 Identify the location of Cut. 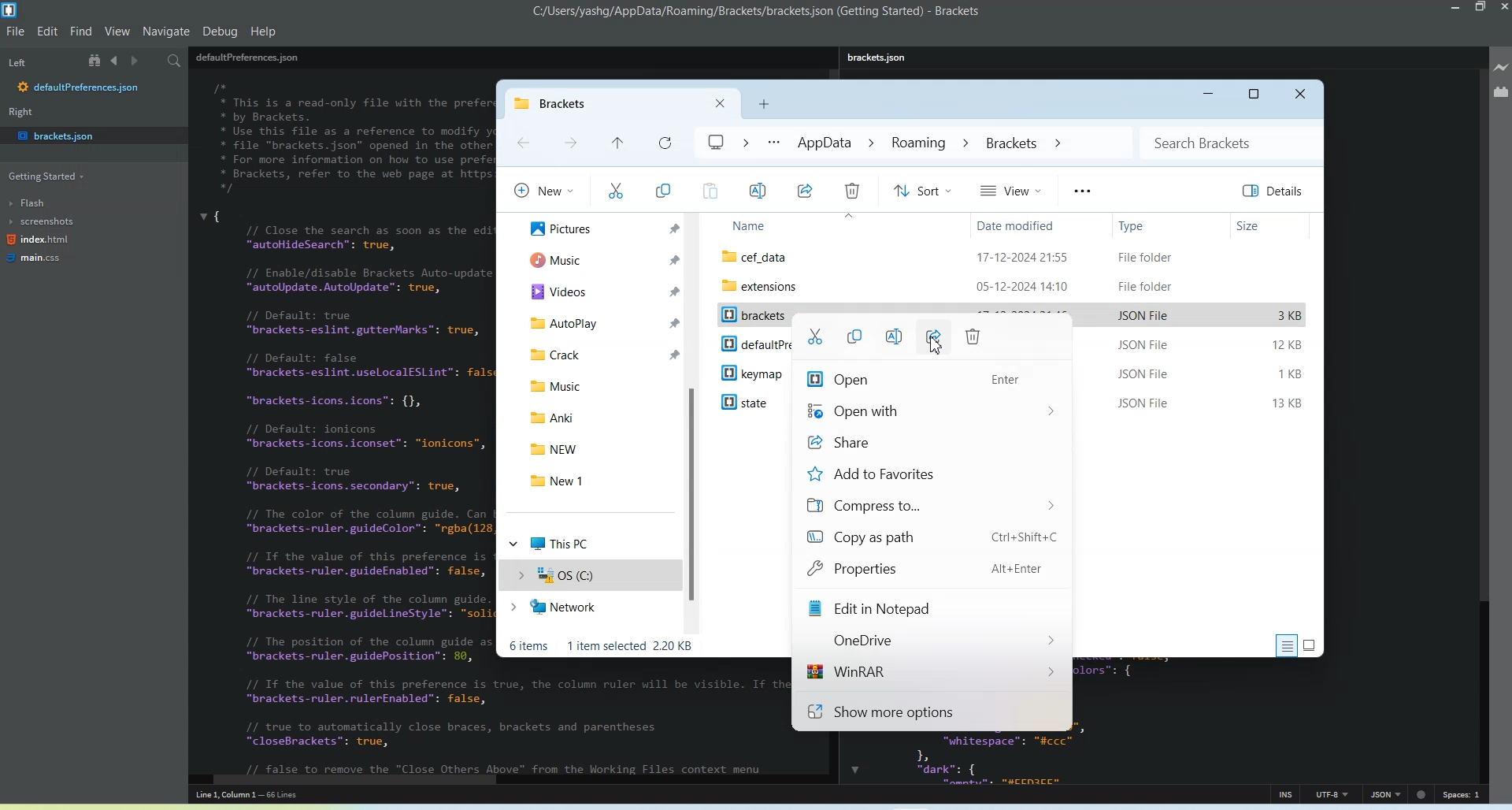
(813, 336).